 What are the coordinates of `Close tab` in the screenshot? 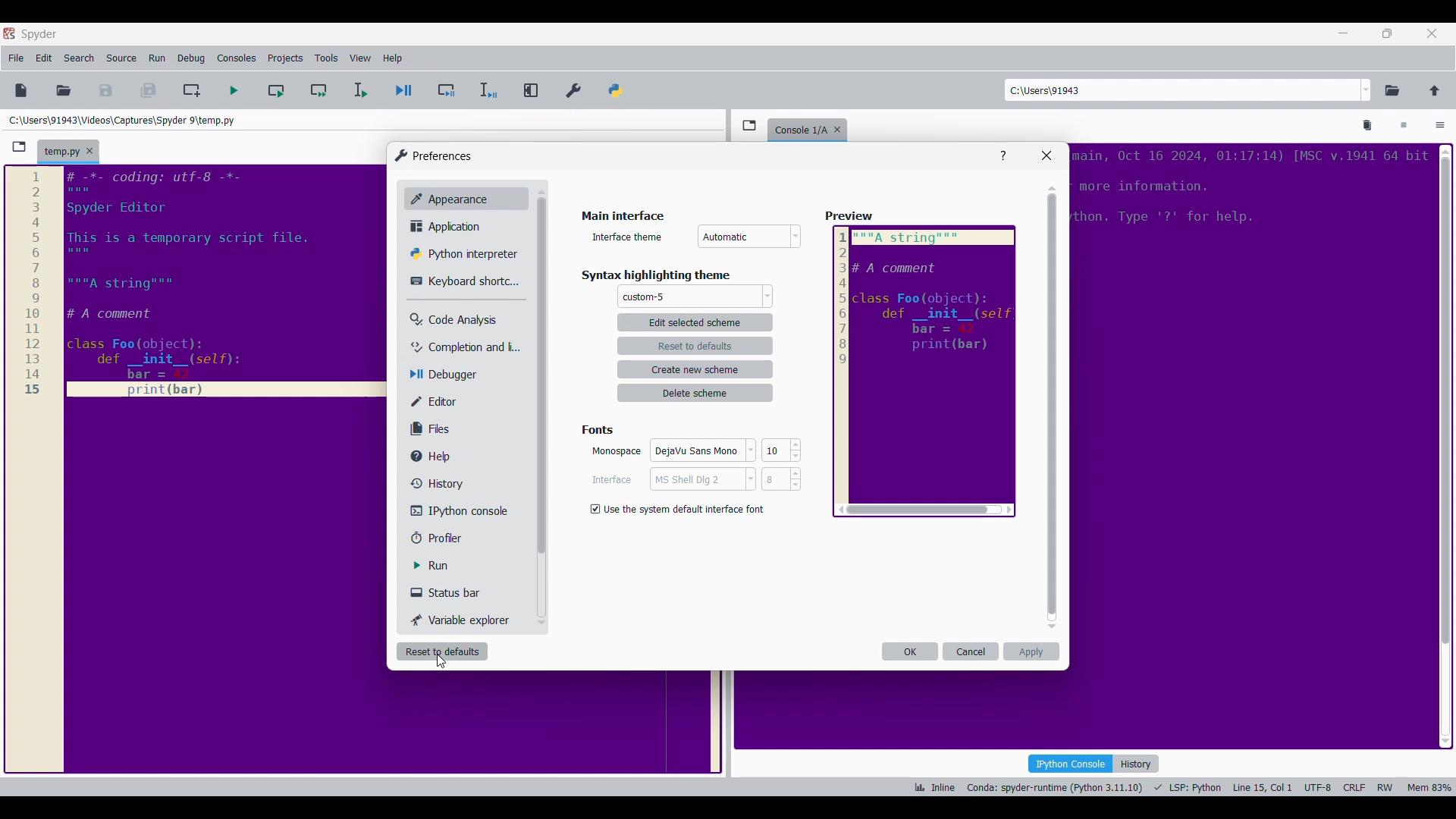 It's located at (90, 151).